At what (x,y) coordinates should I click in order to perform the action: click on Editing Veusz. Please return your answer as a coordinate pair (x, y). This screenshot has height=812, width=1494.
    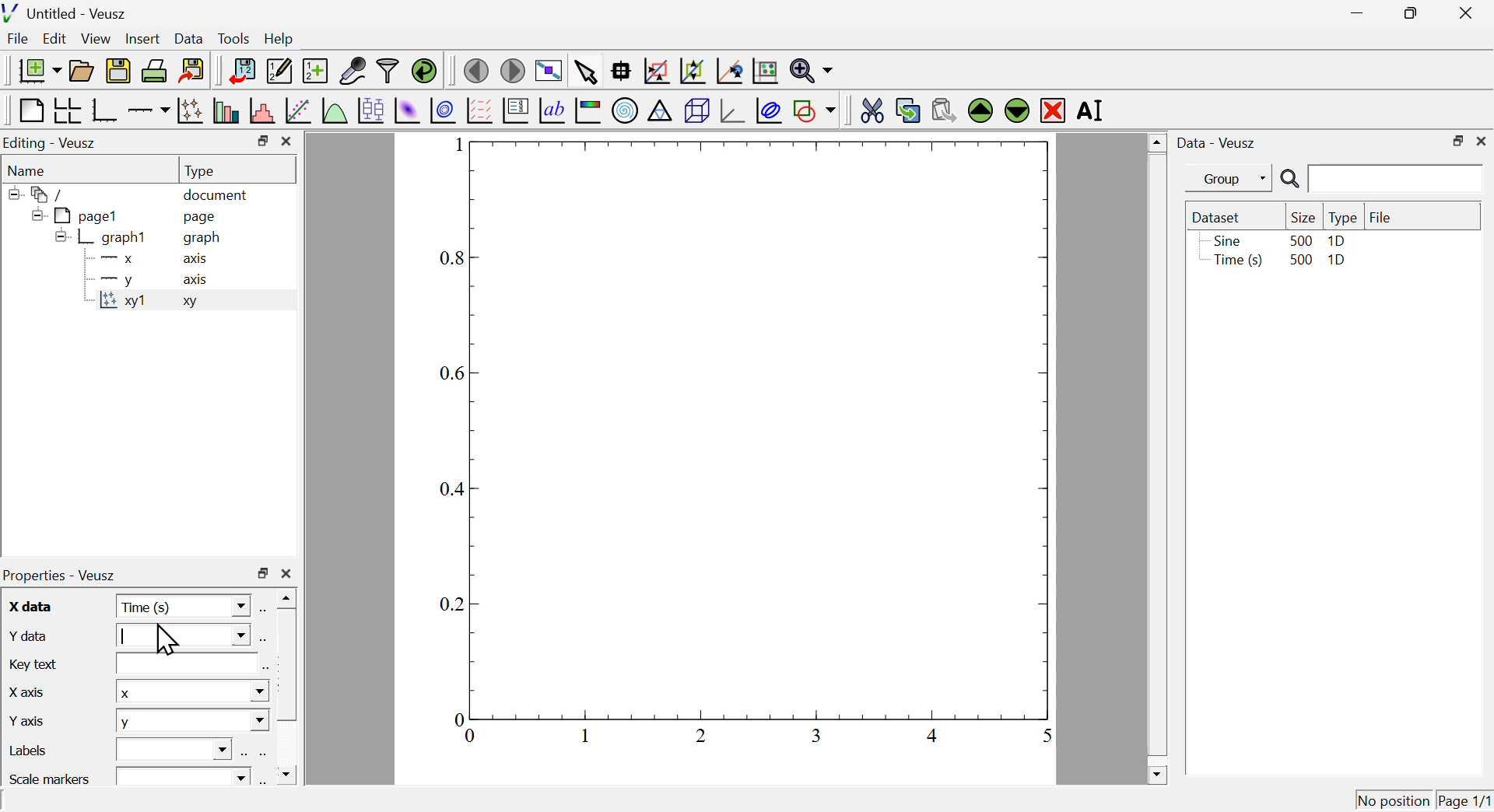
    Looking at the image, I should click on (53, 143).